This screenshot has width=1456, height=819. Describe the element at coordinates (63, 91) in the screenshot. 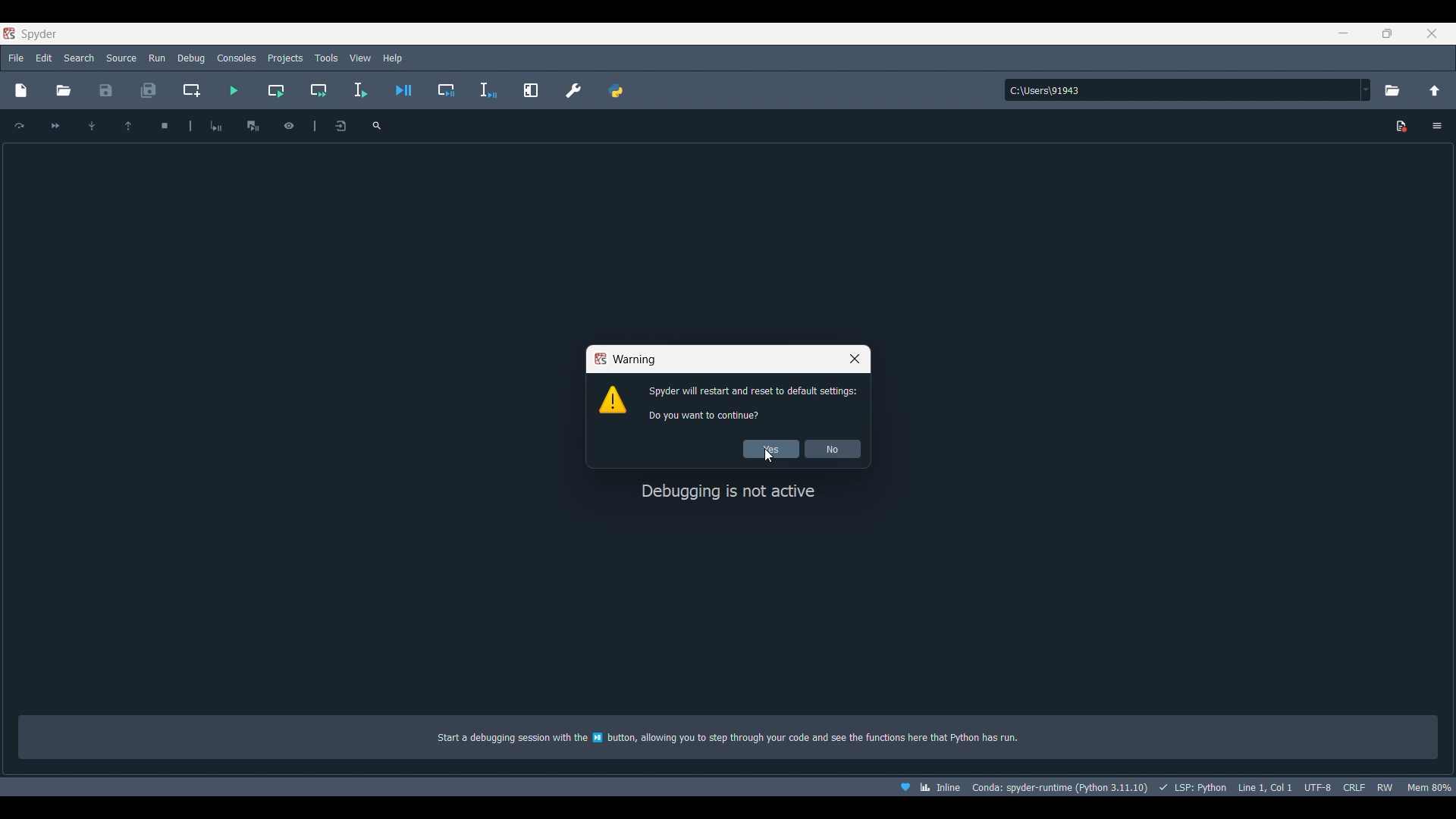

I see `Open` at that location.